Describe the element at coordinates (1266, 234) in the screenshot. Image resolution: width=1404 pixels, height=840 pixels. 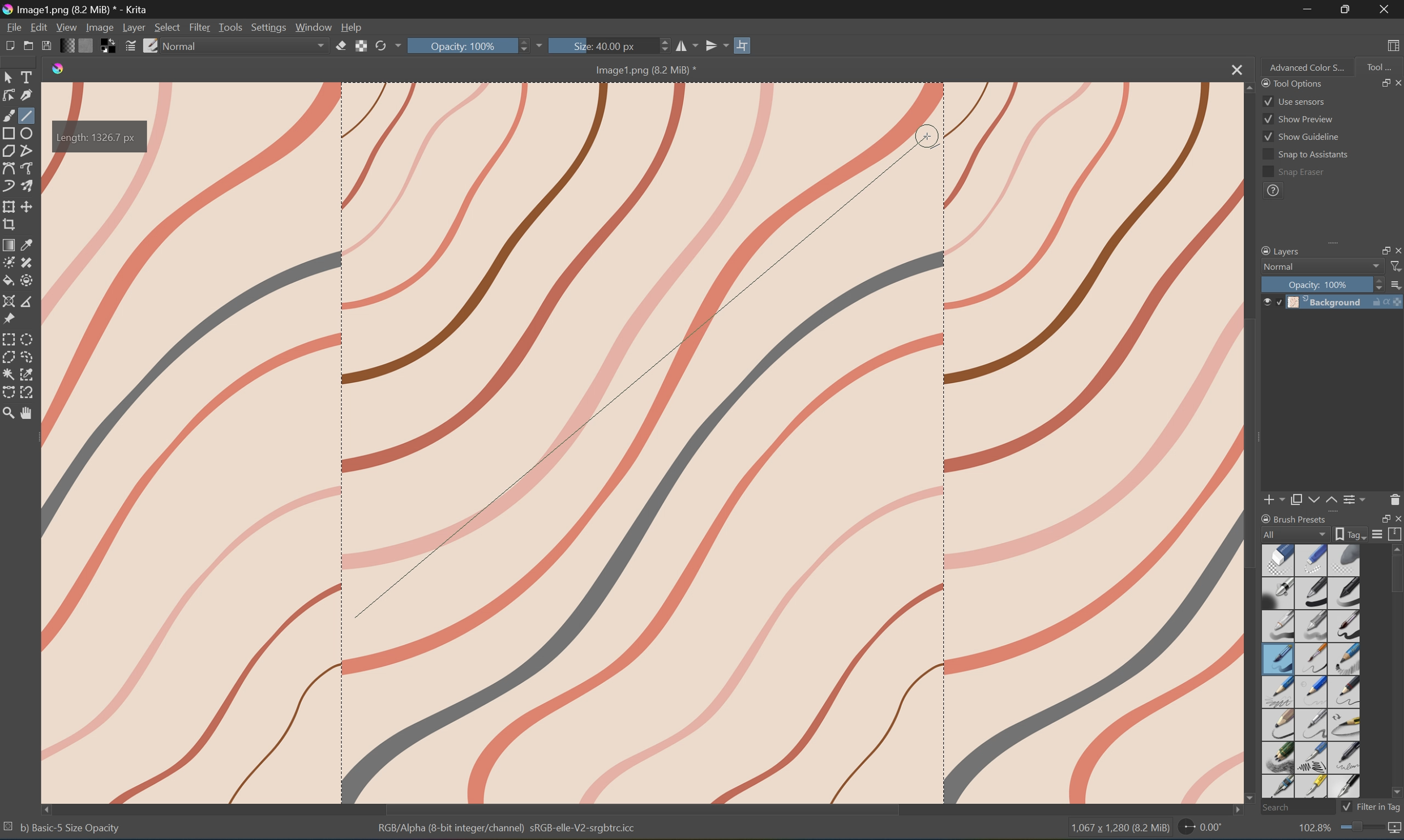
I see `Scroll Left` at that location.